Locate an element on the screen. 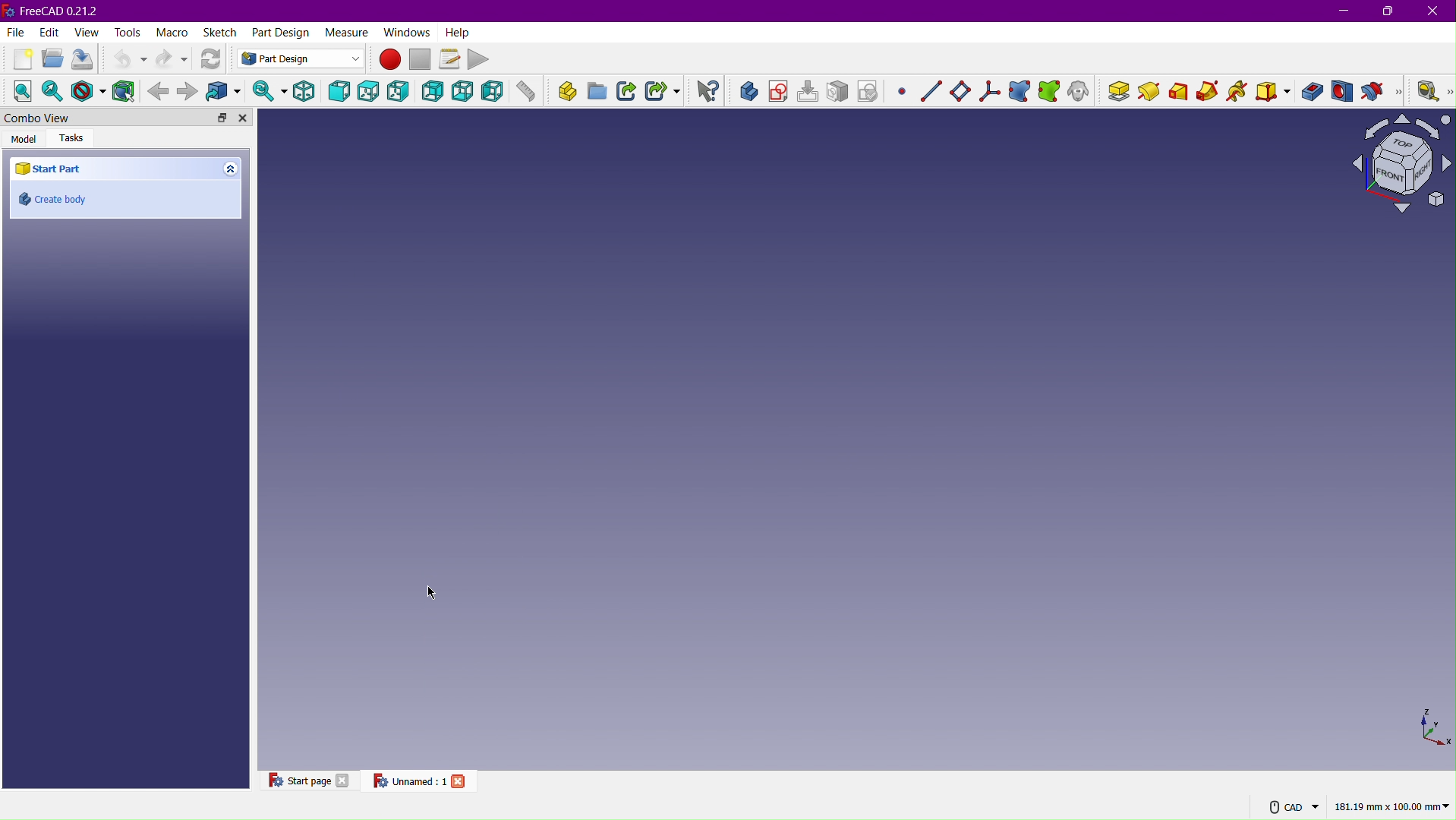  Pad  is located at coordinates (1120, 93).